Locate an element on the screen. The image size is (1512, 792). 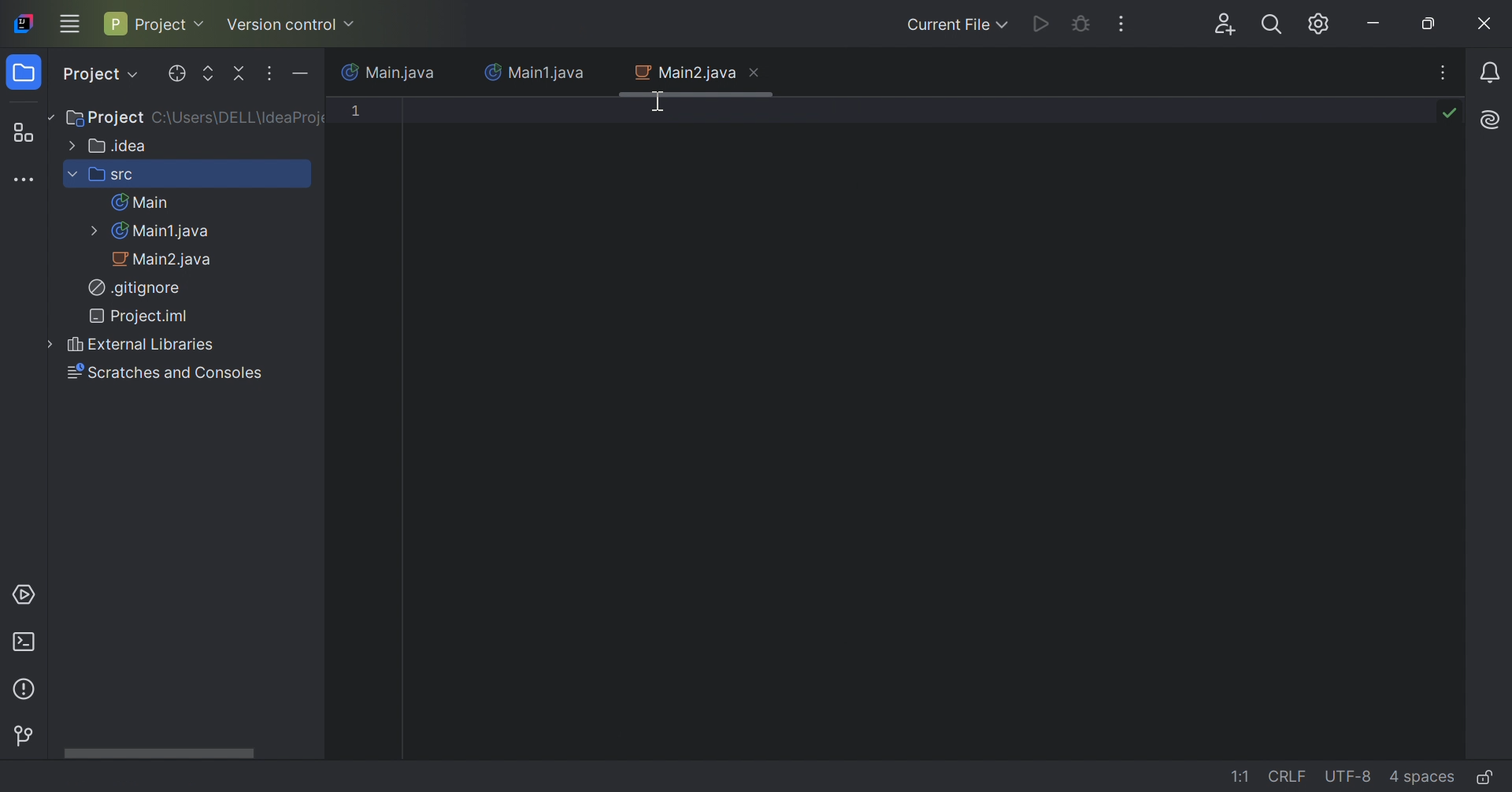
C:\Users\DELL\IdeaProject is located at coordinates (235, 119).